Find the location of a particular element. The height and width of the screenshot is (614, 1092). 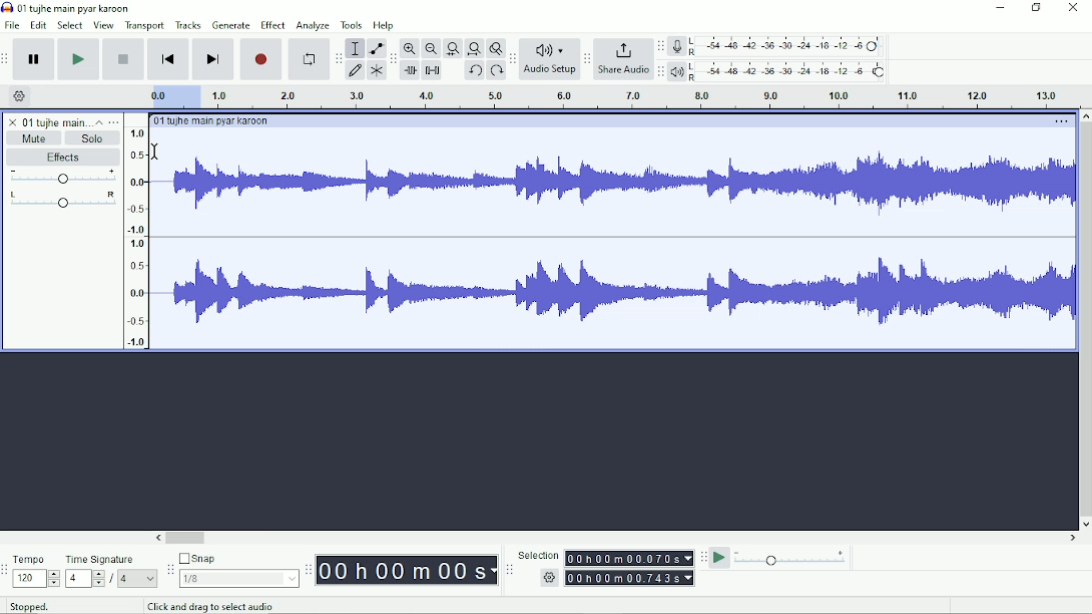

Stopped is located at coordinates (43, 604).